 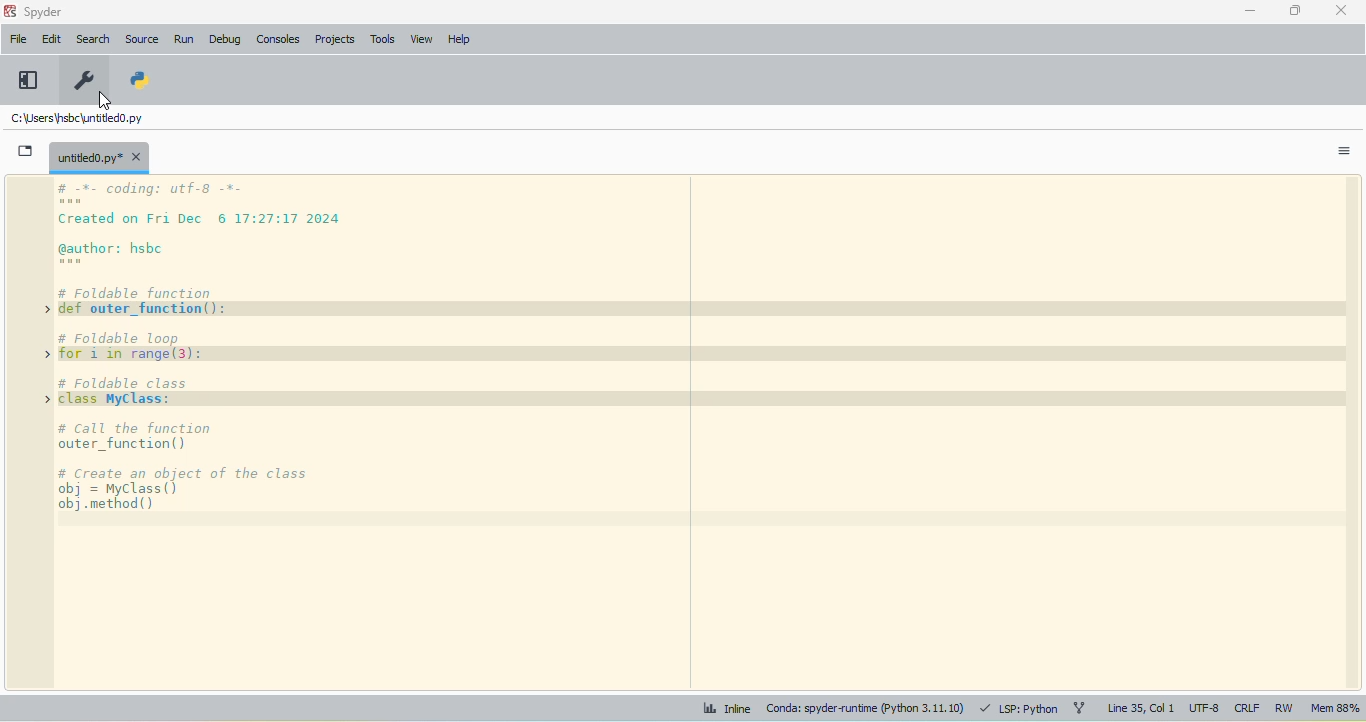 What do you see at coordinates (1344, 152) in the screenshot?
I see `options` at bounding box center [1344, 152].